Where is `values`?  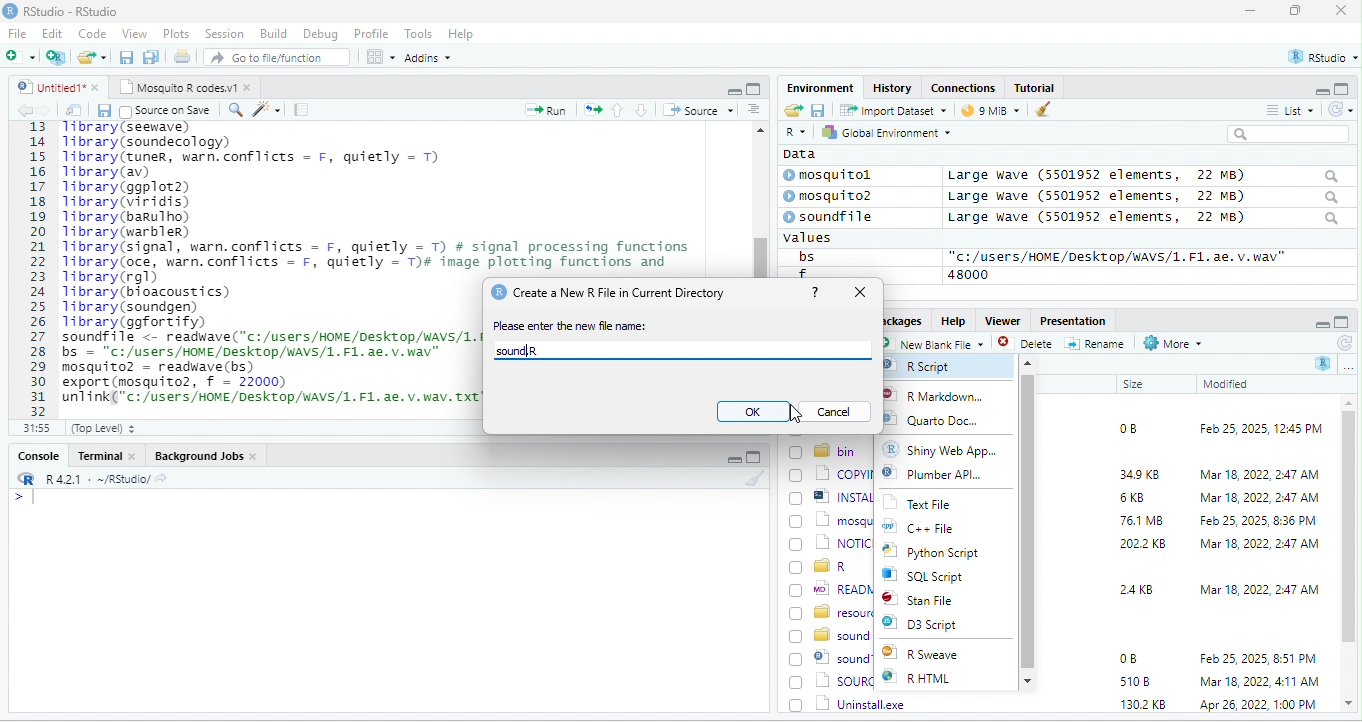
values is located at coordinates (818, 238).